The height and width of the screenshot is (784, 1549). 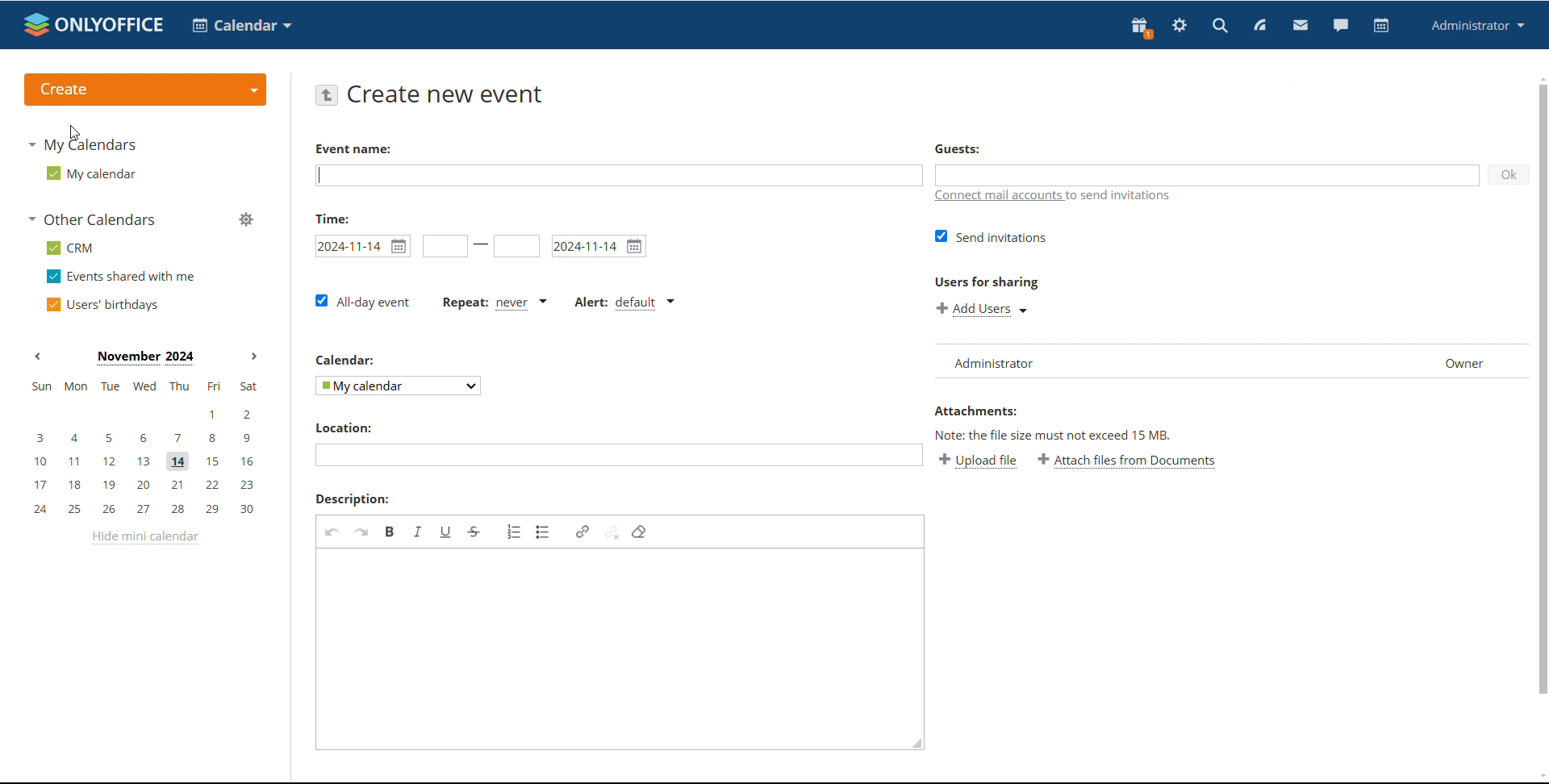 I want to click on create new event, so click(x=449, y=94).